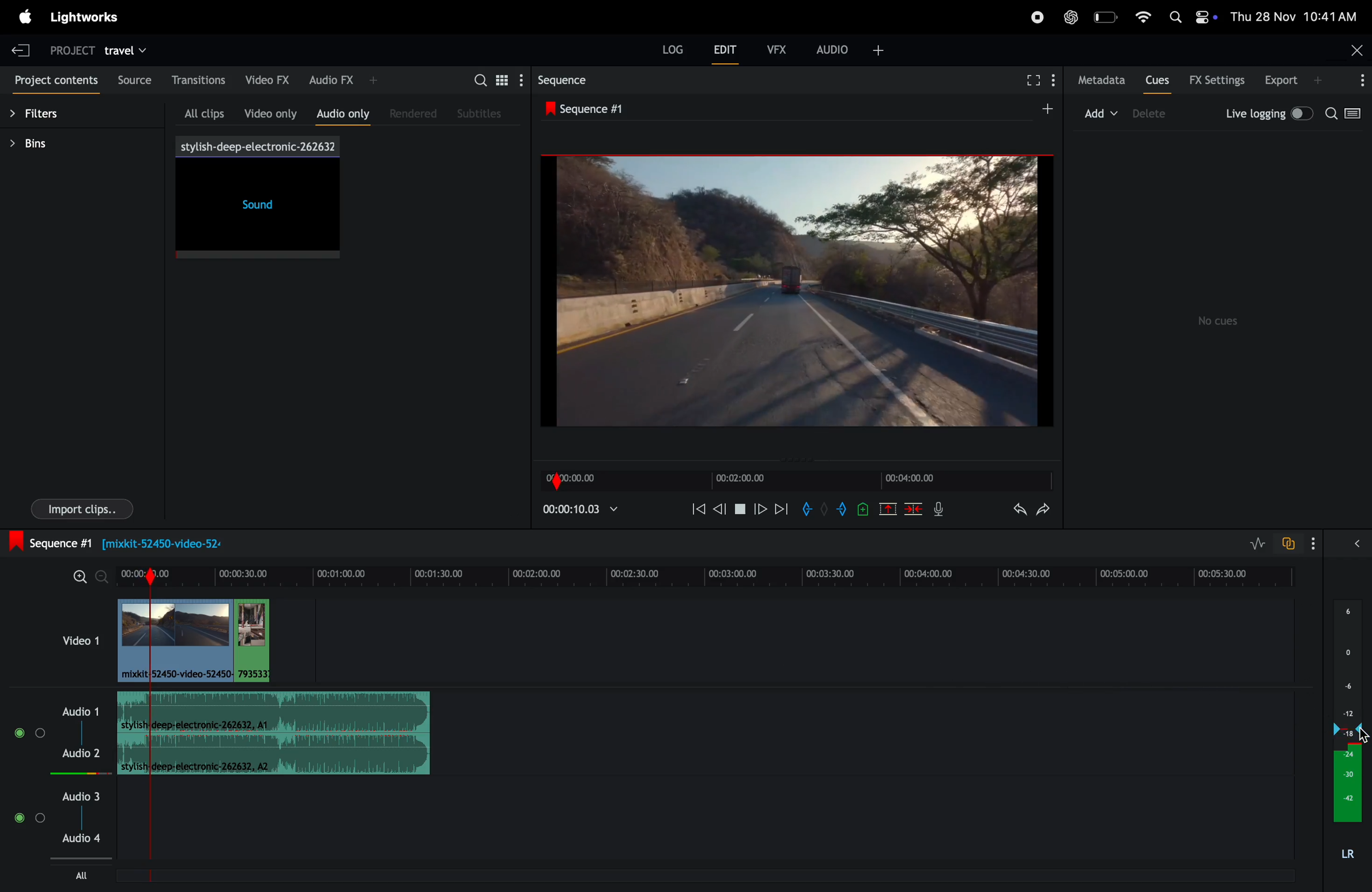 This screenshot has height=892, width=1372. I want to click on chatgpt, so click(1069, 16).